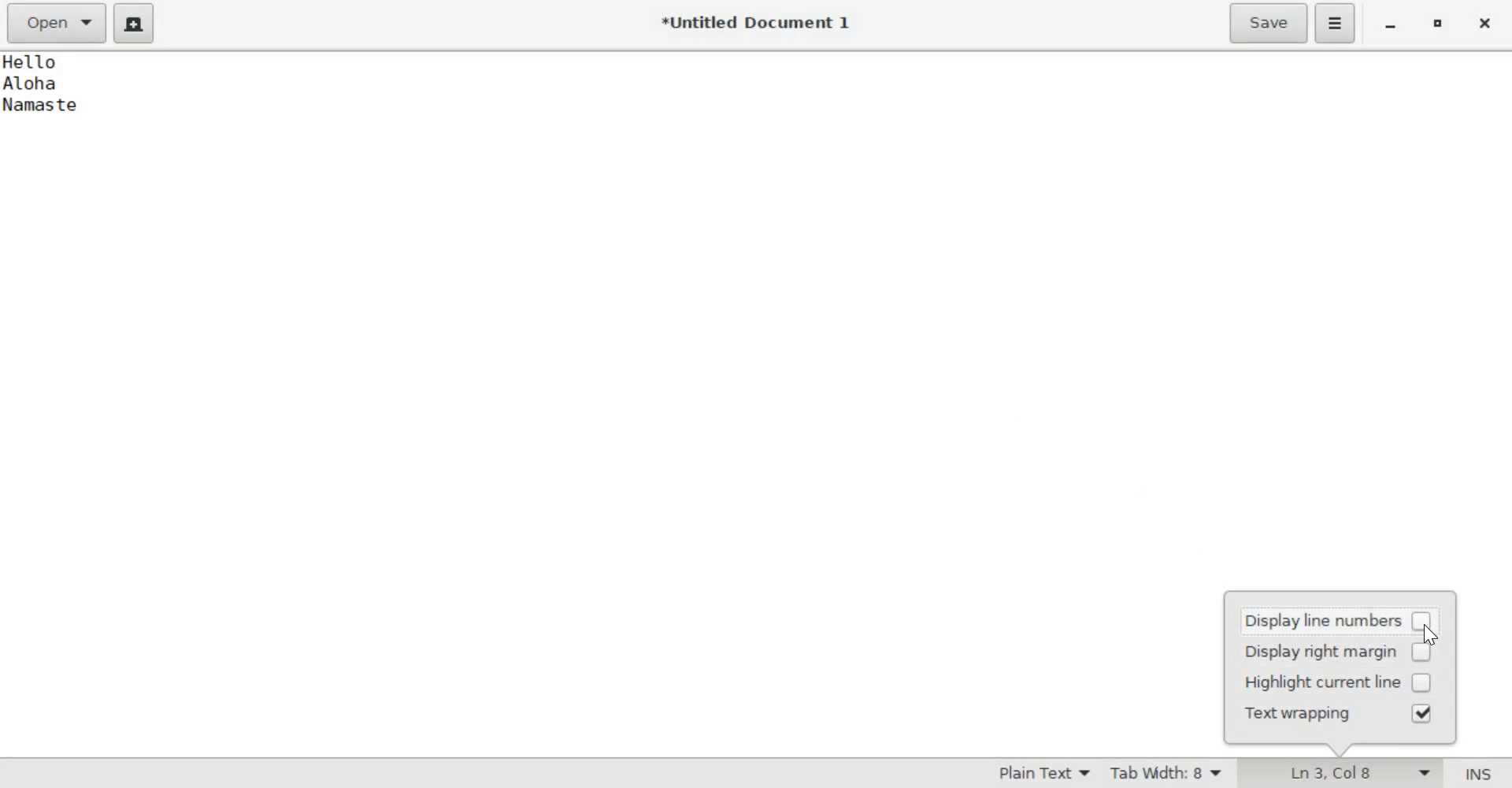 This screenshot has width=1512, height=788. What do you see at coordinates (1336, 23) in the screenshot?
I see `application menu` at bounding box center [1336, 23].